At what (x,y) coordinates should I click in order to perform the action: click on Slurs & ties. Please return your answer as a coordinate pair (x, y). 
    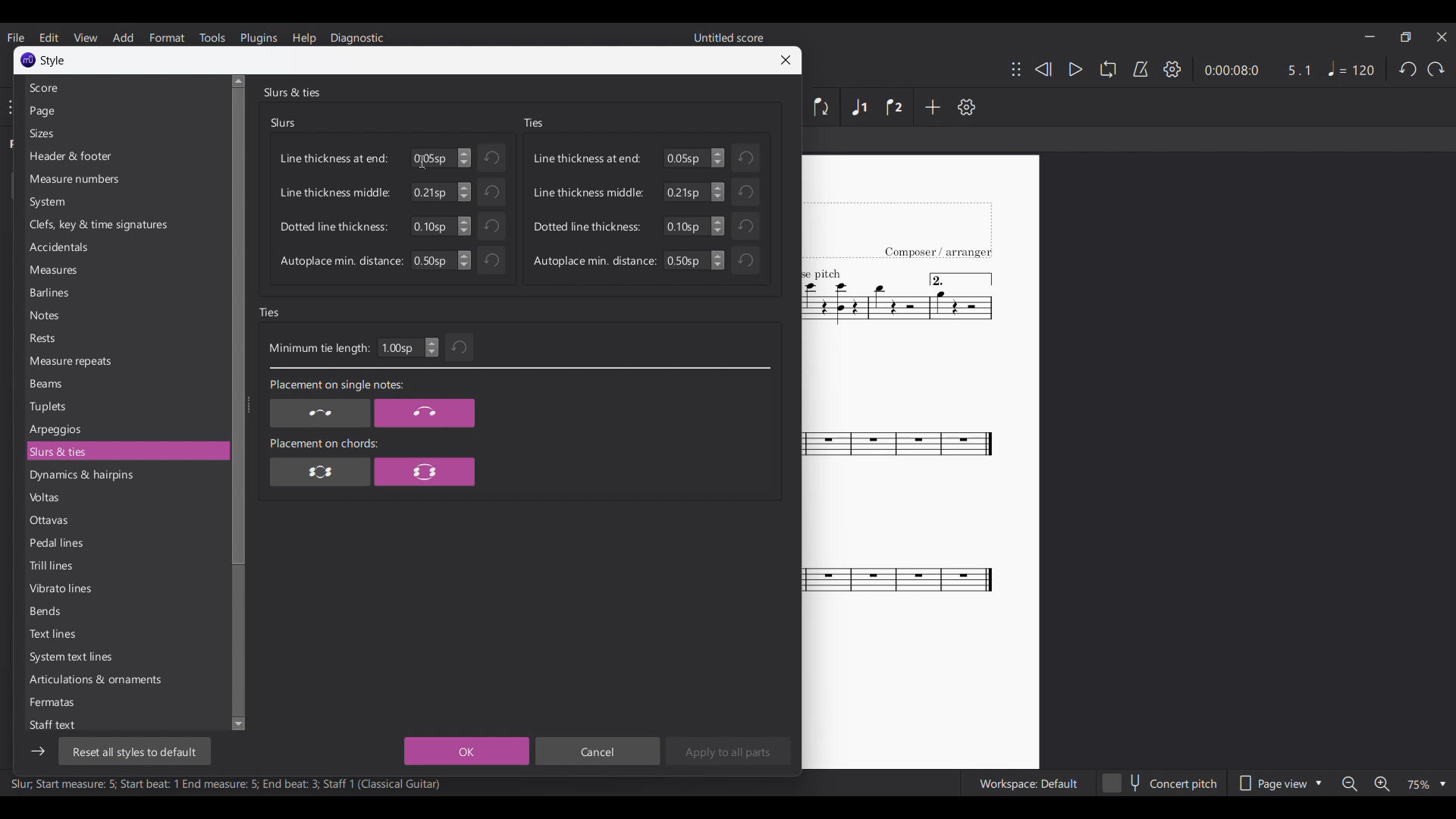
    Looking at the image, I should click on (291, 92).